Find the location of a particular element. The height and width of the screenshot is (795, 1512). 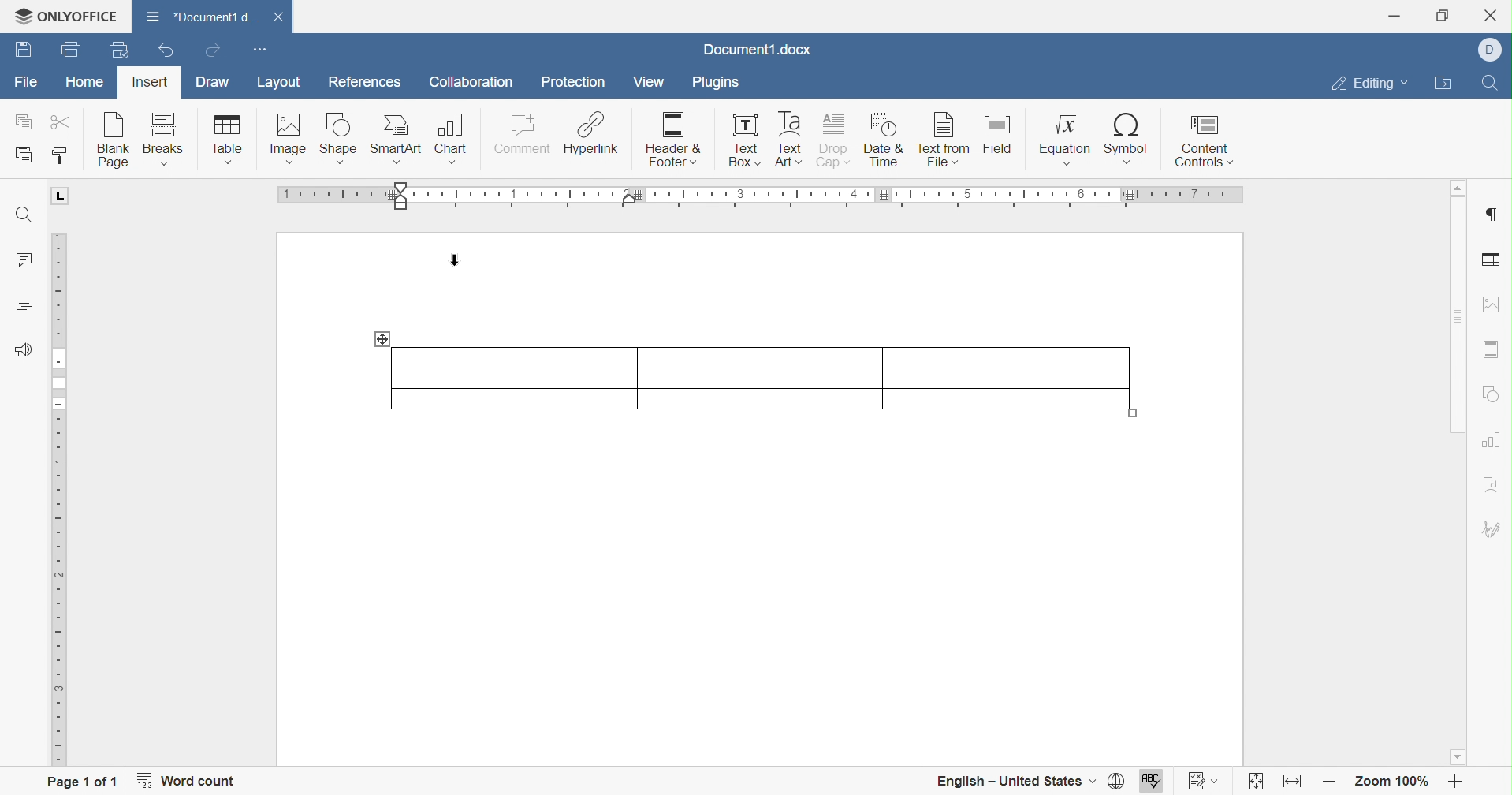

Quick print is located at coordinates (120, 50).